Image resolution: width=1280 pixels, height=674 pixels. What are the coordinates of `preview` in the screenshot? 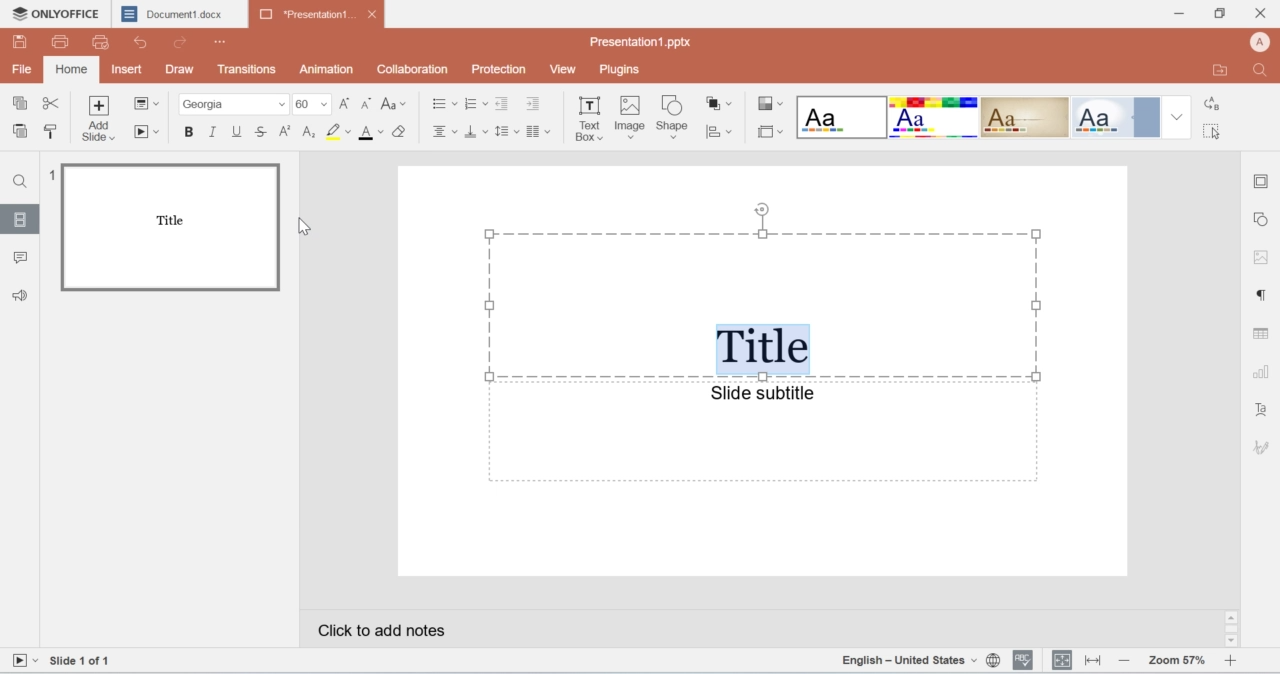 It's located at (170, 226).